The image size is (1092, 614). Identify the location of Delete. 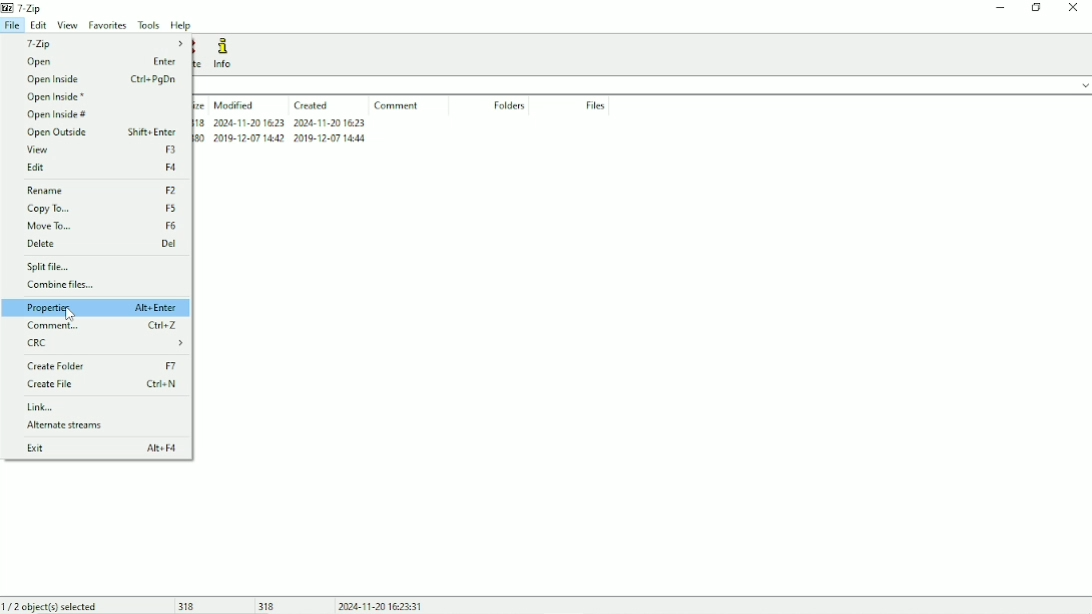
(198, 54).